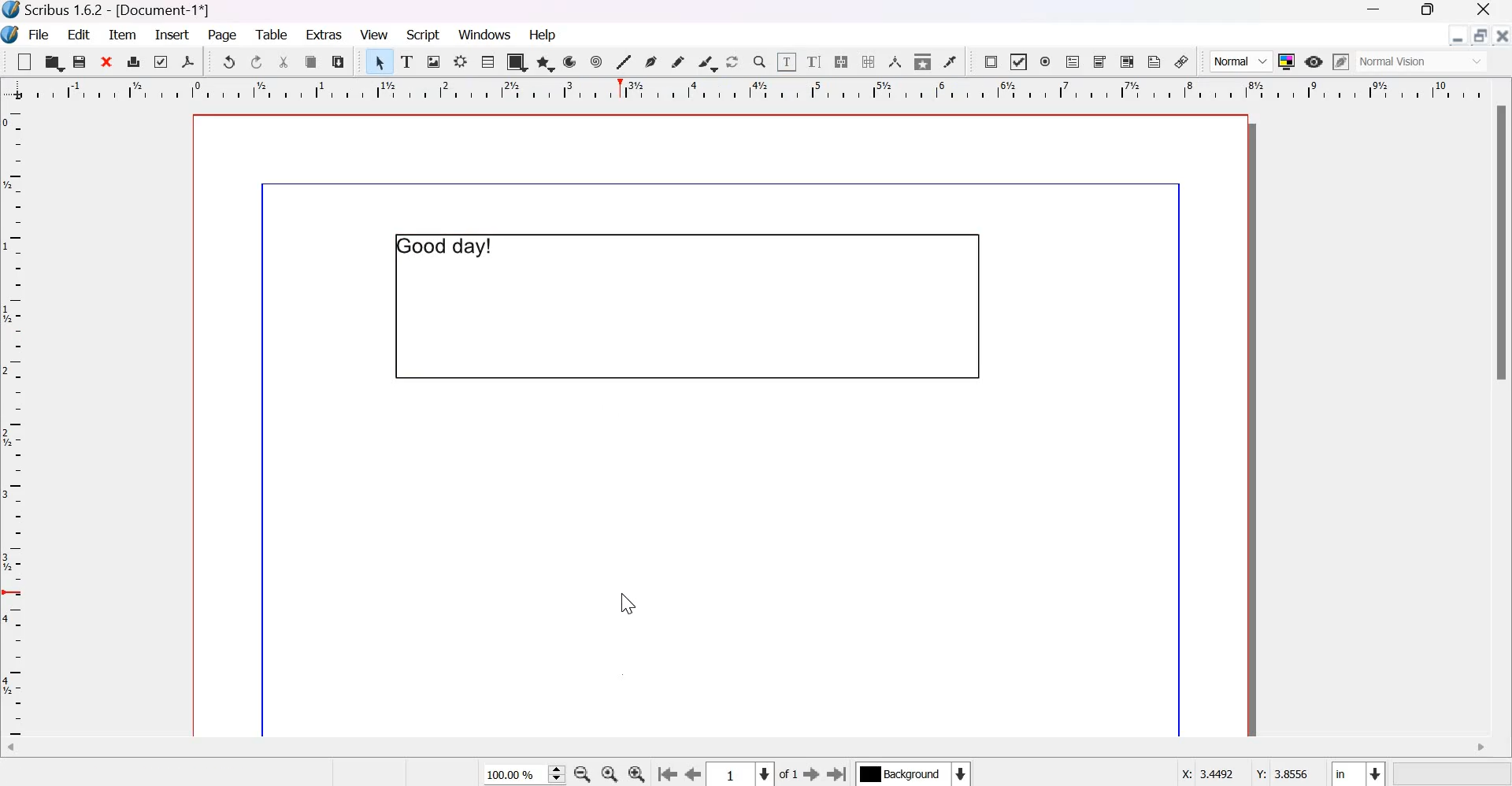  I want to click on Link text frames, so click(841, 61).